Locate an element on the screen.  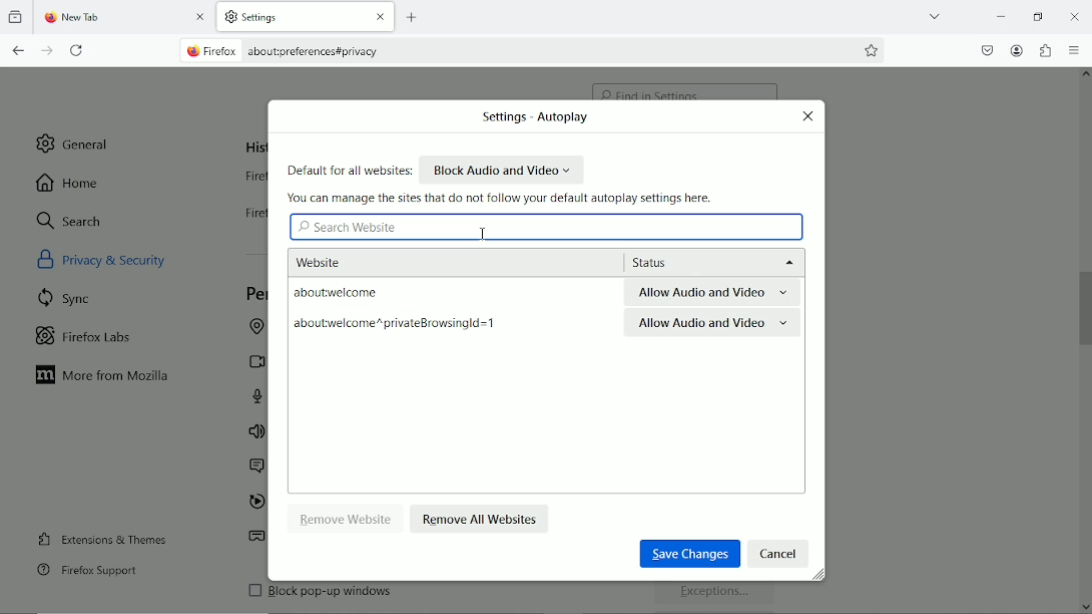
Allow Audio and Video is located at coordinates (712, 325).